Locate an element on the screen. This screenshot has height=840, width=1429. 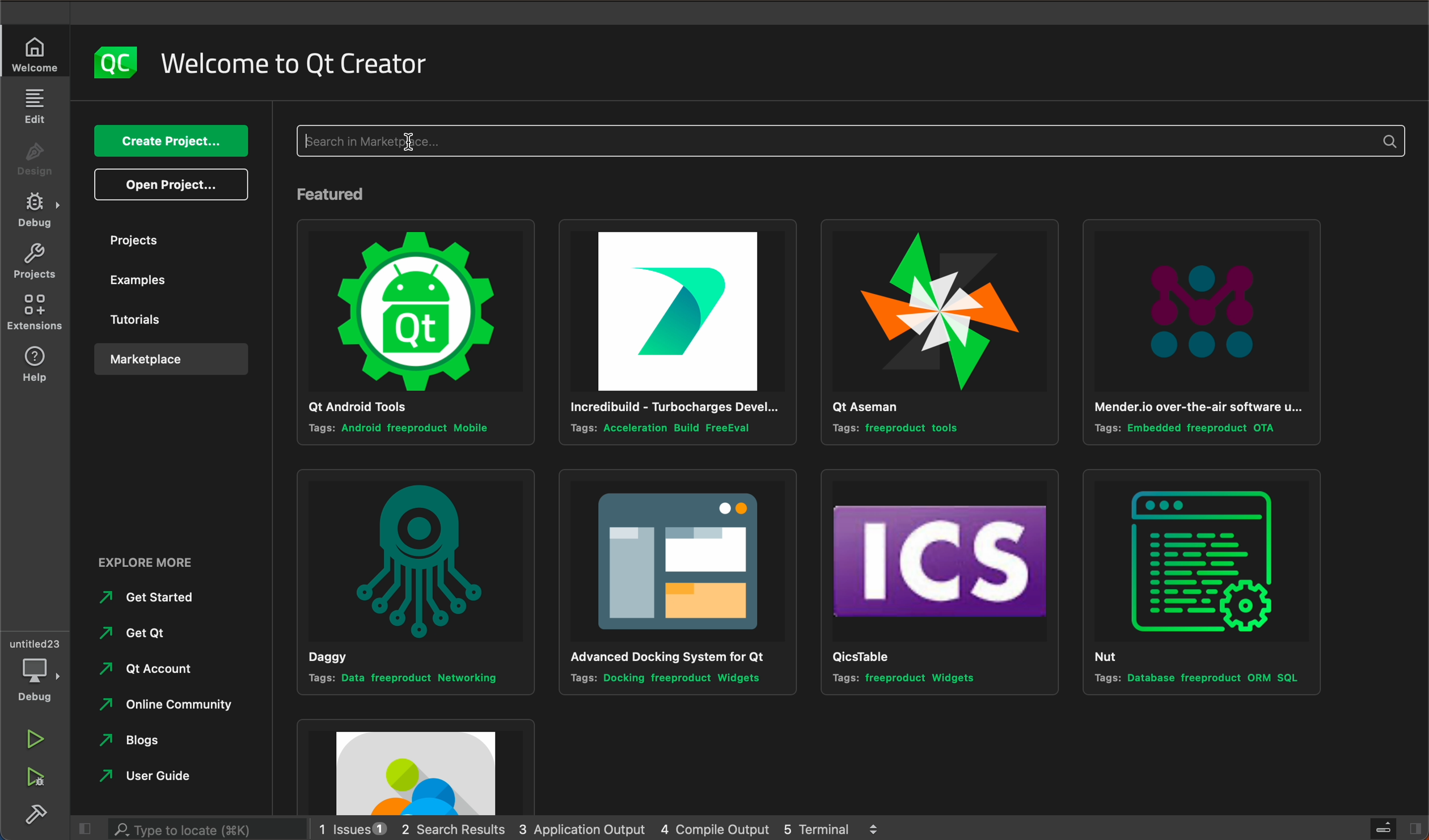
 is located at coordinates (166, 745).